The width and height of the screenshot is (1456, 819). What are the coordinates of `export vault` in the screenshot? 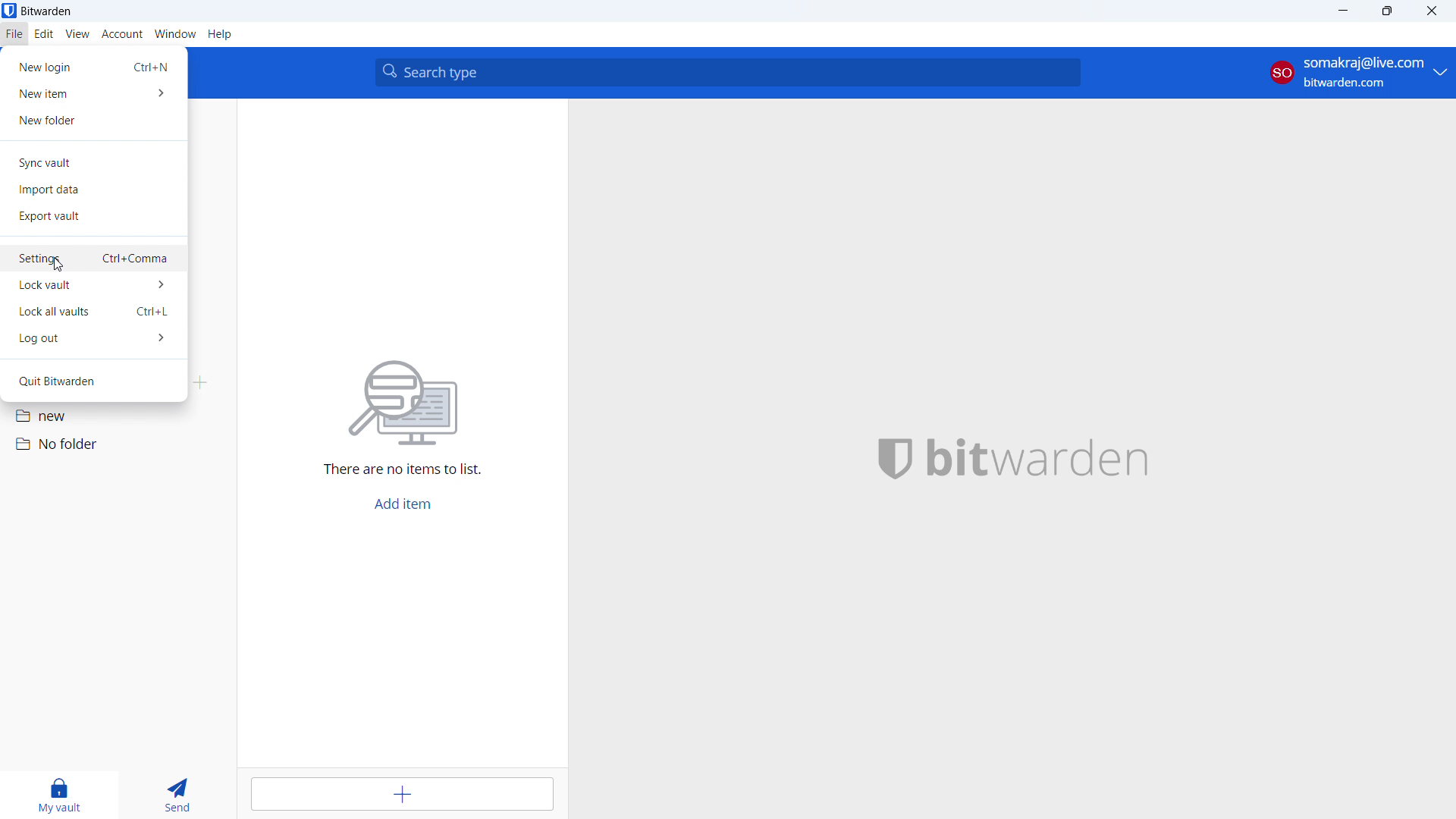 It's located at (93, 218).